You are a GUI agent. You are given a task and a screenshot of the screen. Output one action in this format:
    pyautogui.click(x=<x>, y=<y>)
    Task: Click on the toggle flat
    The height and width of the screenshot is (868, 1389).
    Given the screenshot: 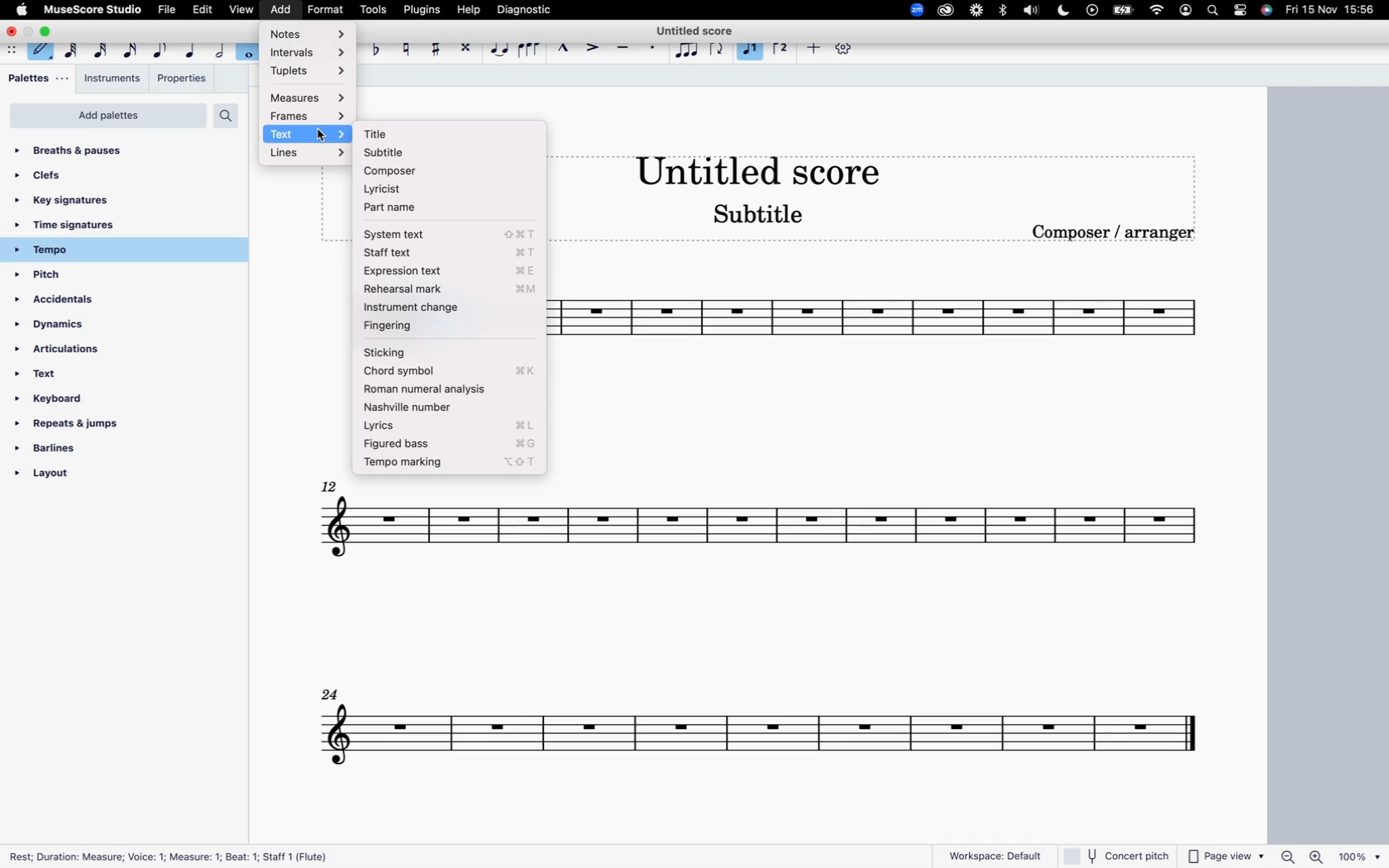 What is the action you would take?
    pyautogui.click(x=376, y=47)
    